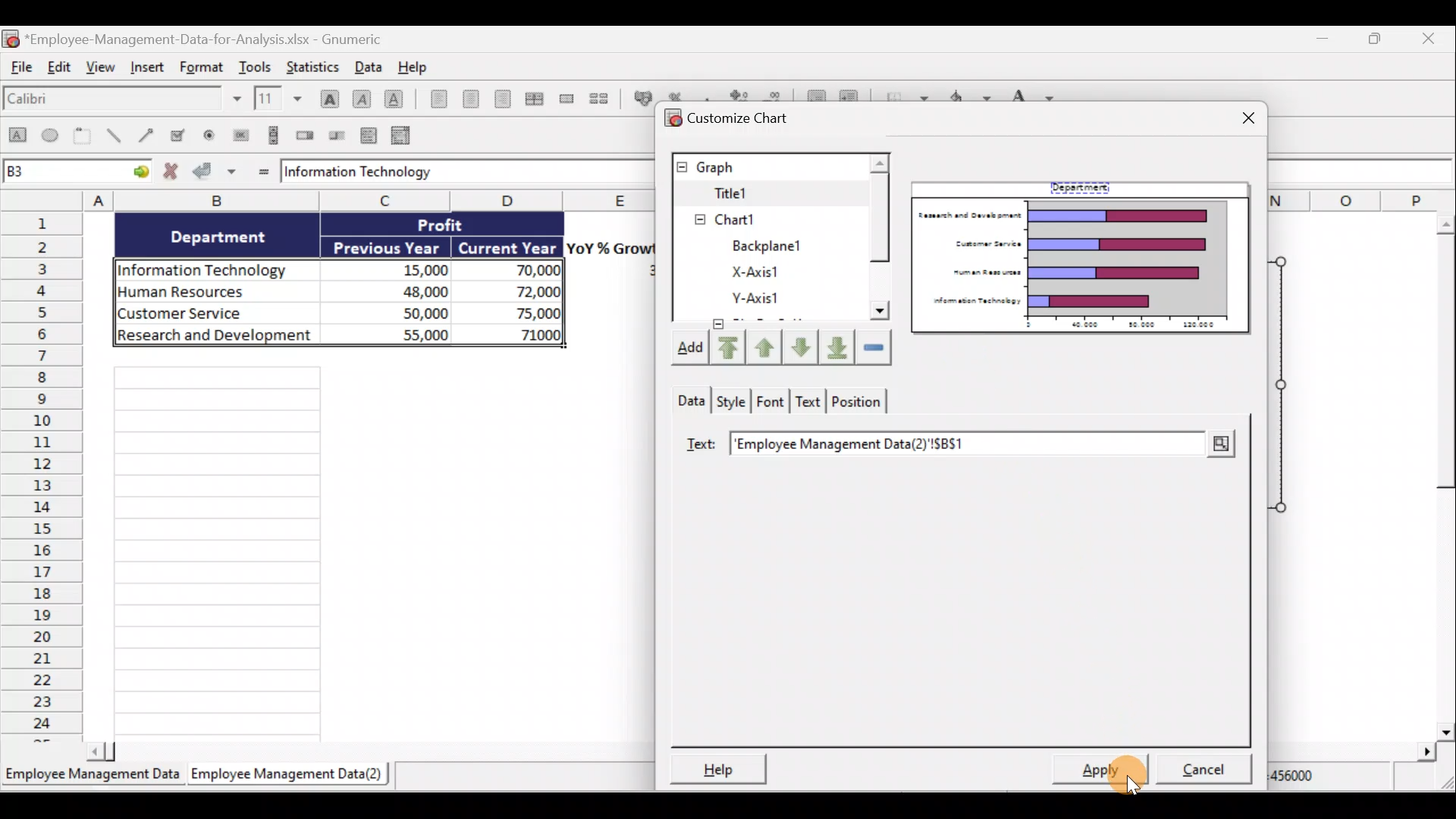  What do you see at coordinates (102, 73) in the screenshot?
I see `View` at bounding box center [102, 73].